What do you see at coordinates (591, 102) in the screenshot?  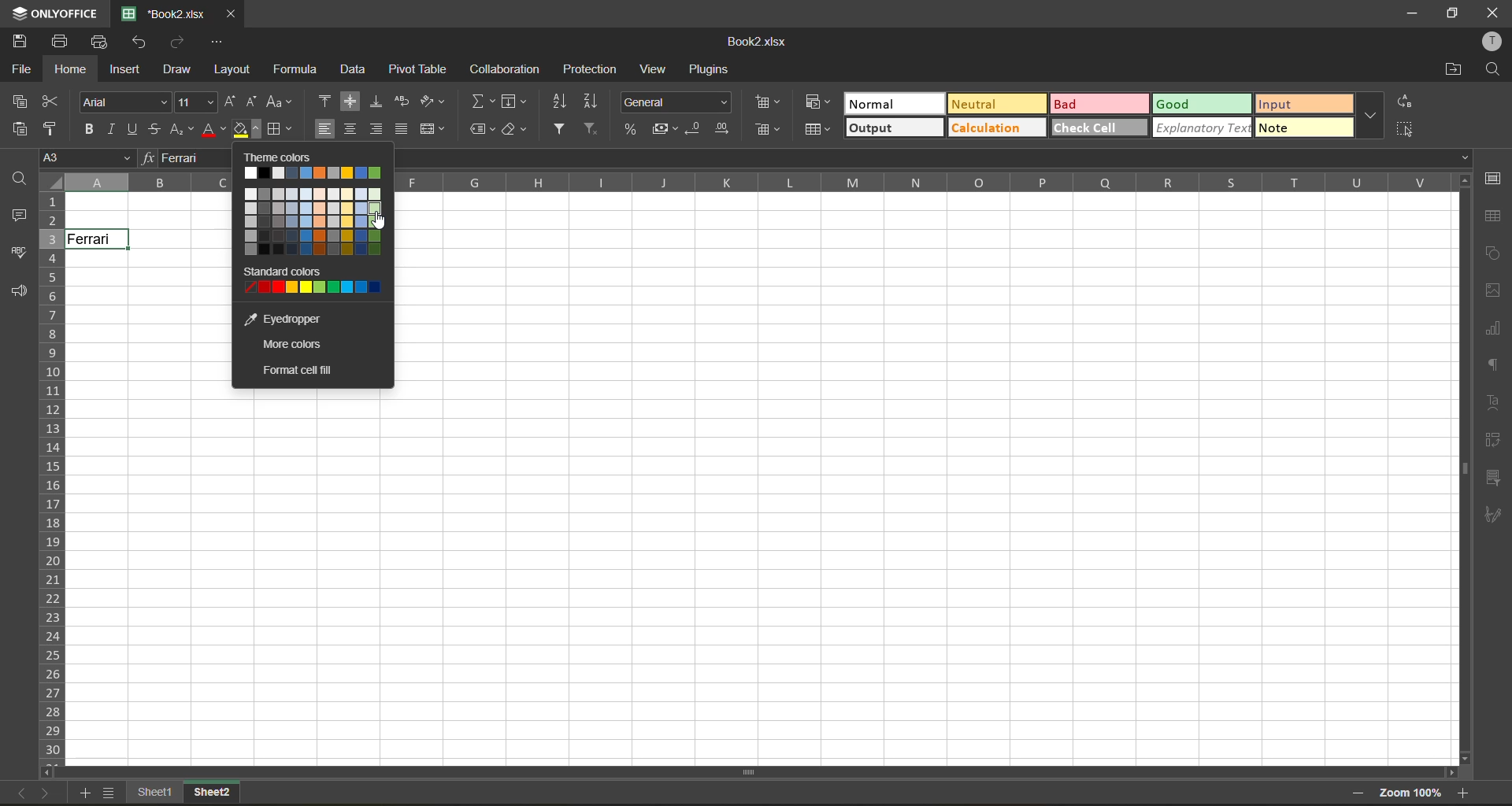 I see `sort descending` at bounding box center [591, 102].